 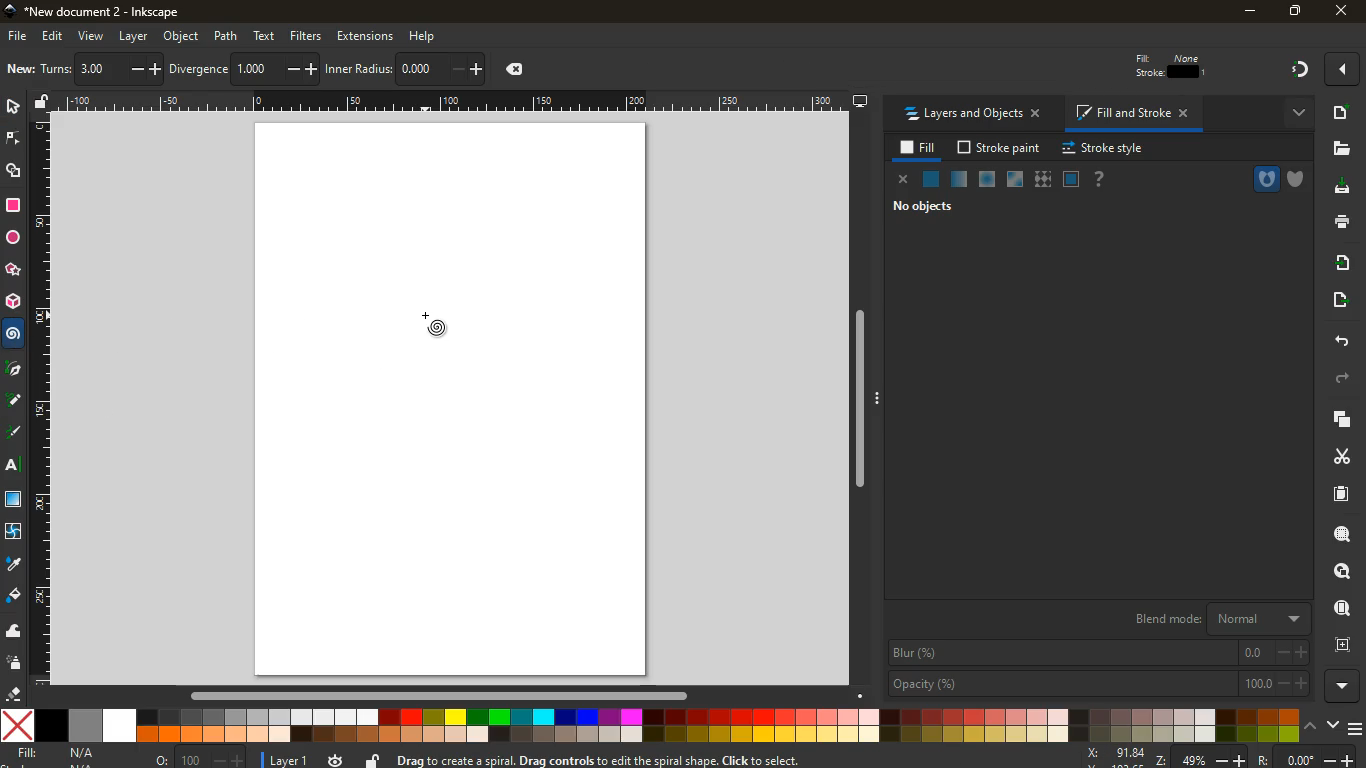 What do you see at coordinates (1042, 179) in the screenshot?
I see `texture` at bounding box center [1042, 179].